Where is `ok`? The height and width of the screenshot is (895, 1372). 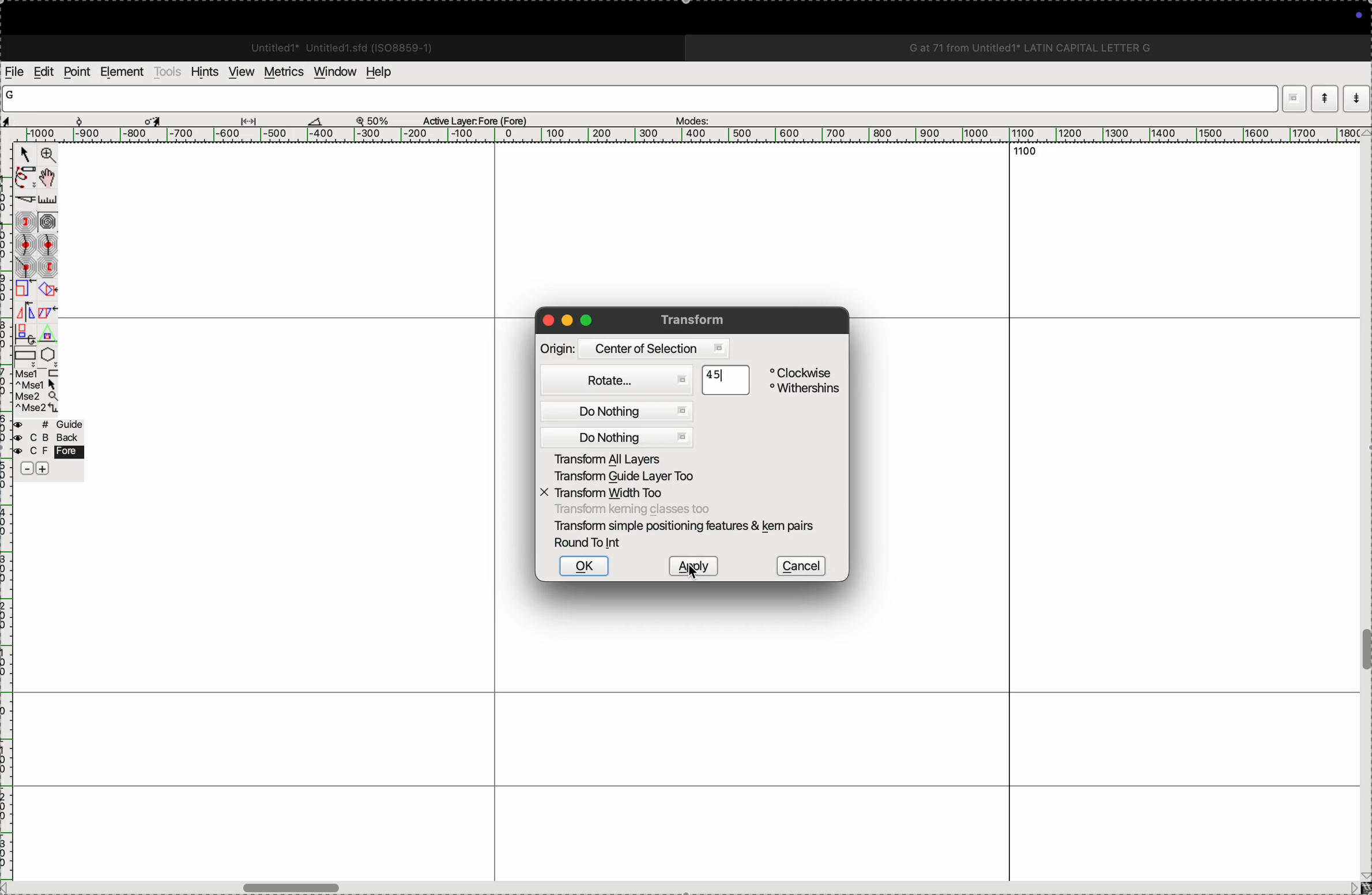
ok is located at coordinates (587, 567).